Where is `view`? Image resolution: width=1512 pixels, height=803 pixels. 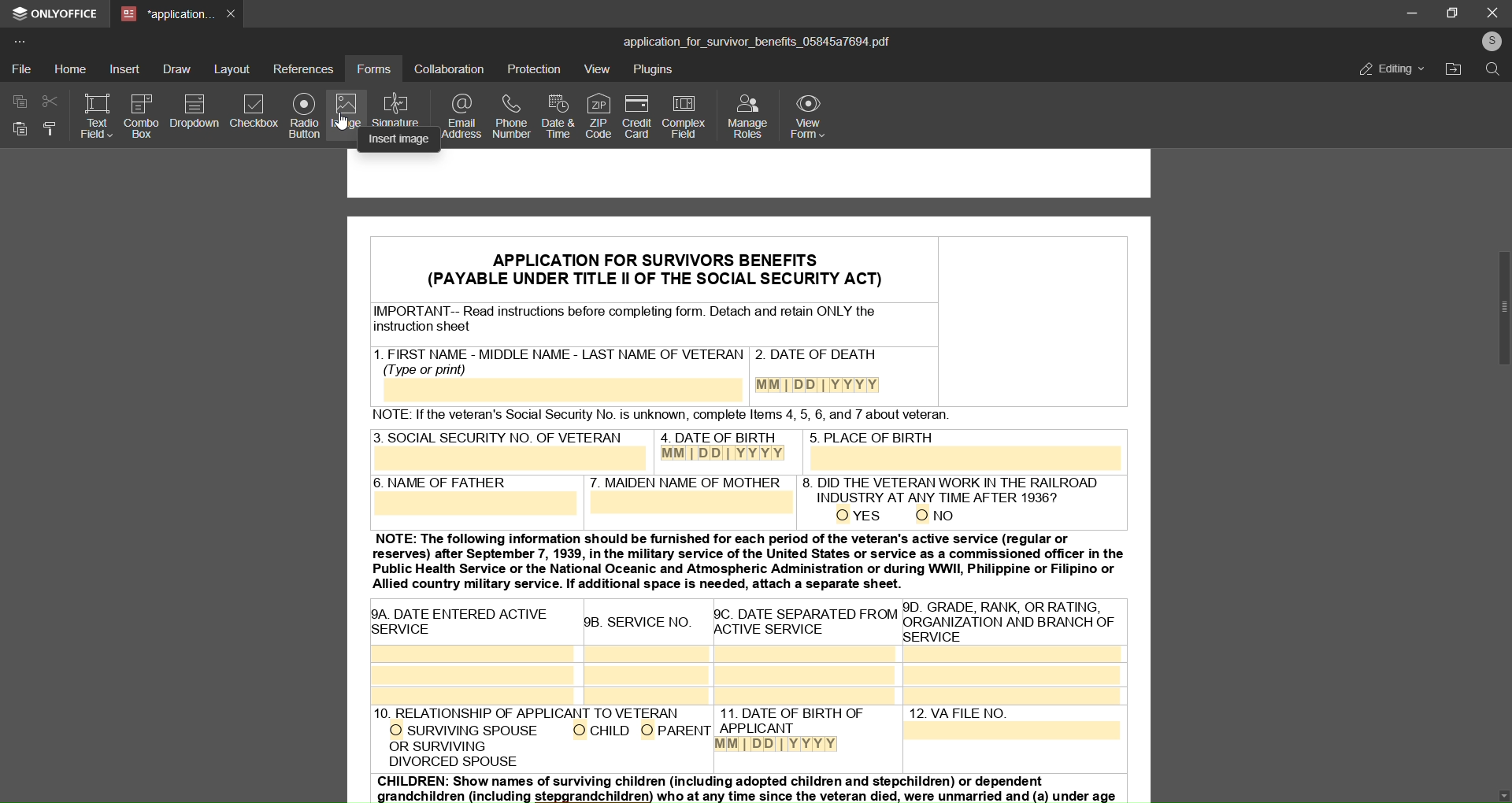
view is located at coordinates (597, 70).